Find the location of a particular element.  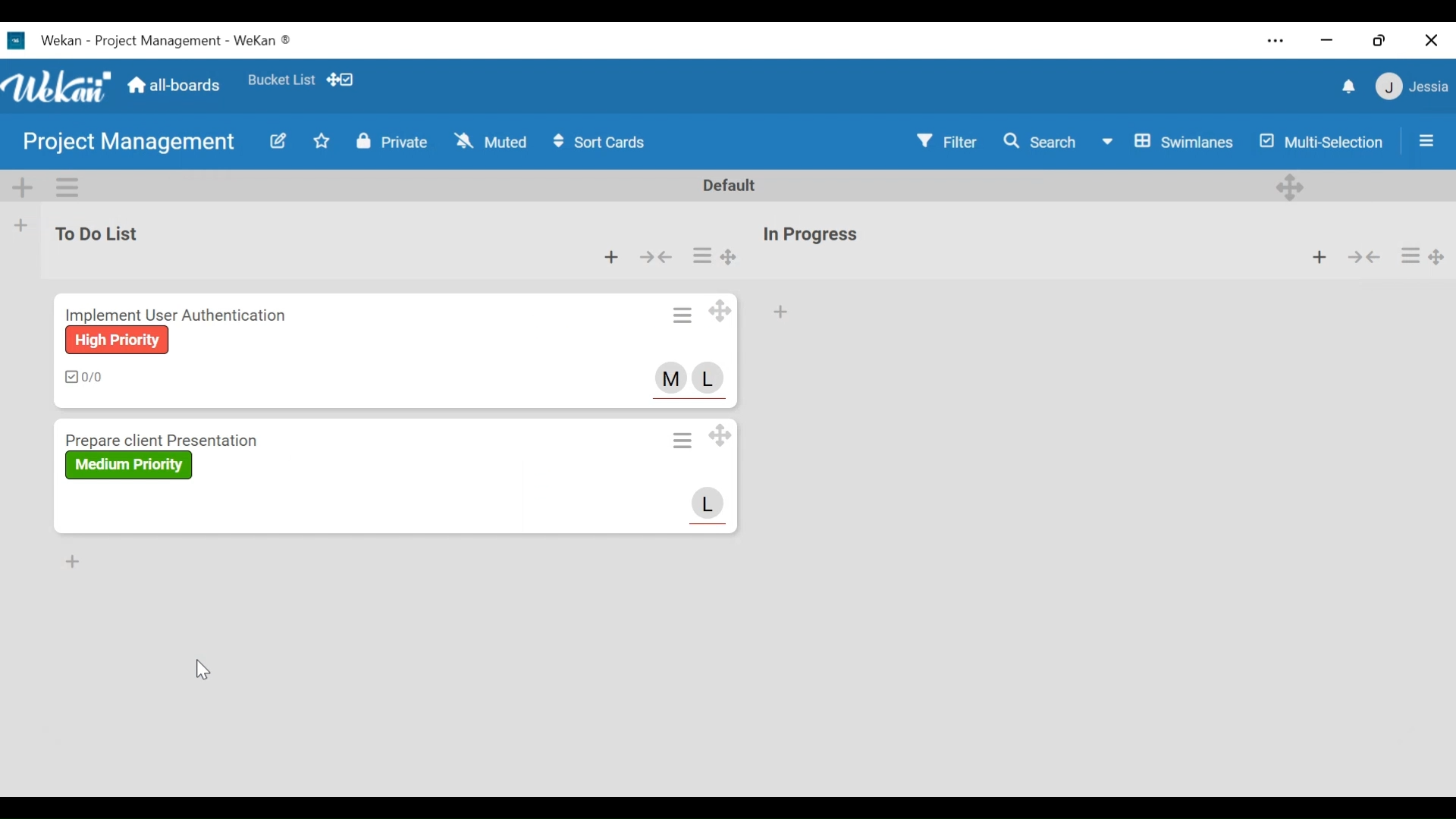

Board Title is located at coordinates (162, 39).